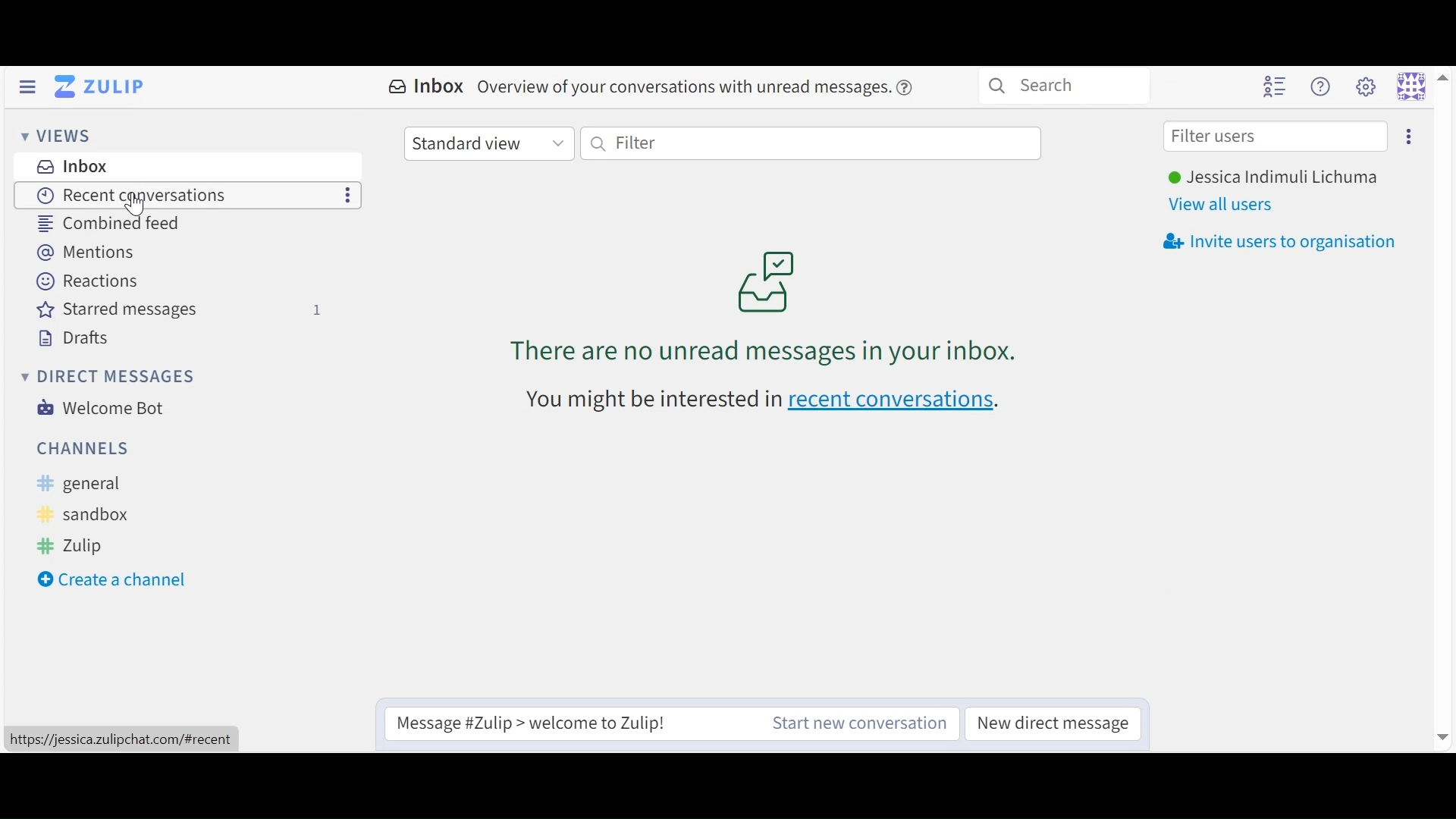  What do you see at coordinates (1059, 86) in the screenshot?
I see `Search` at bounding box center [1059, 86].